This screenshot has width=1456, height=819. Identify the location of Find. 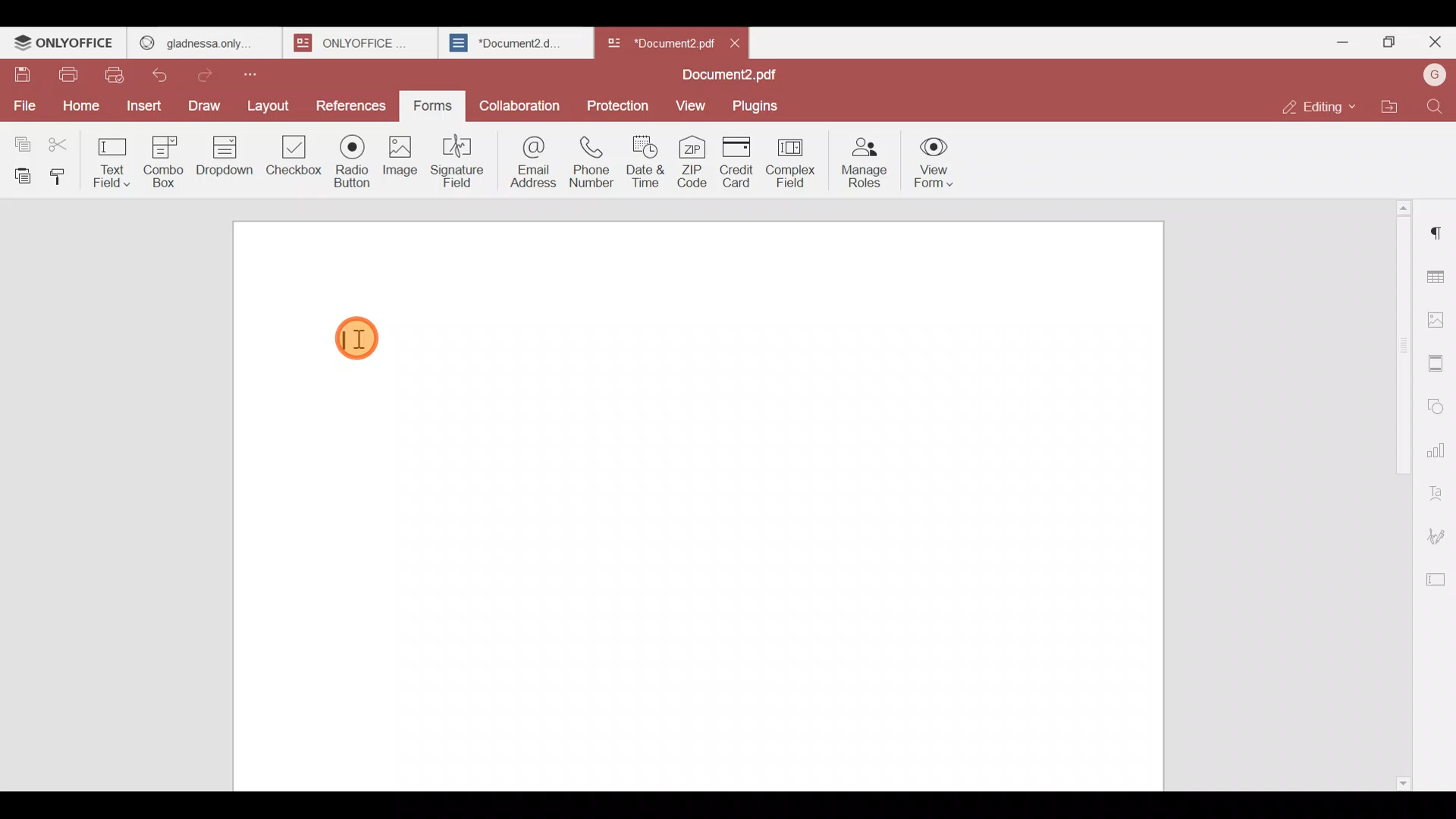
(1439, 107).